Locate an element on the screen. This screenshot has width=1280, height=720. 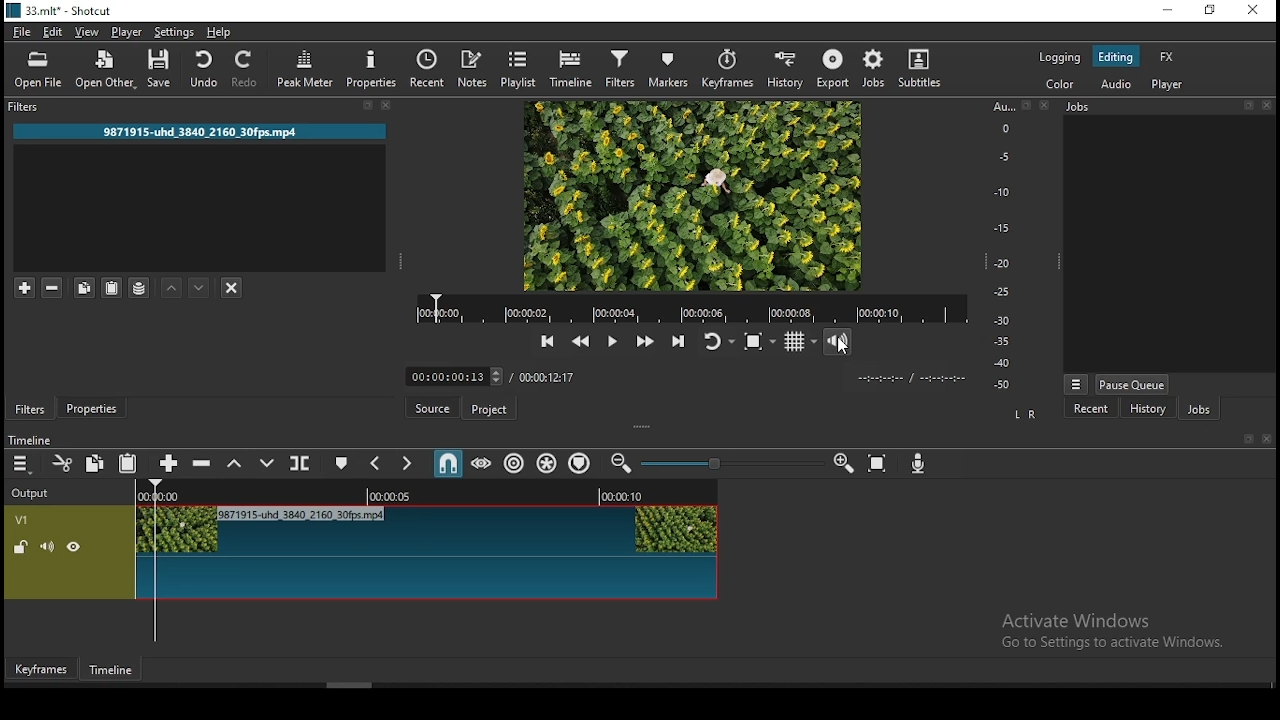
close is located at coordinates (1044, 107).